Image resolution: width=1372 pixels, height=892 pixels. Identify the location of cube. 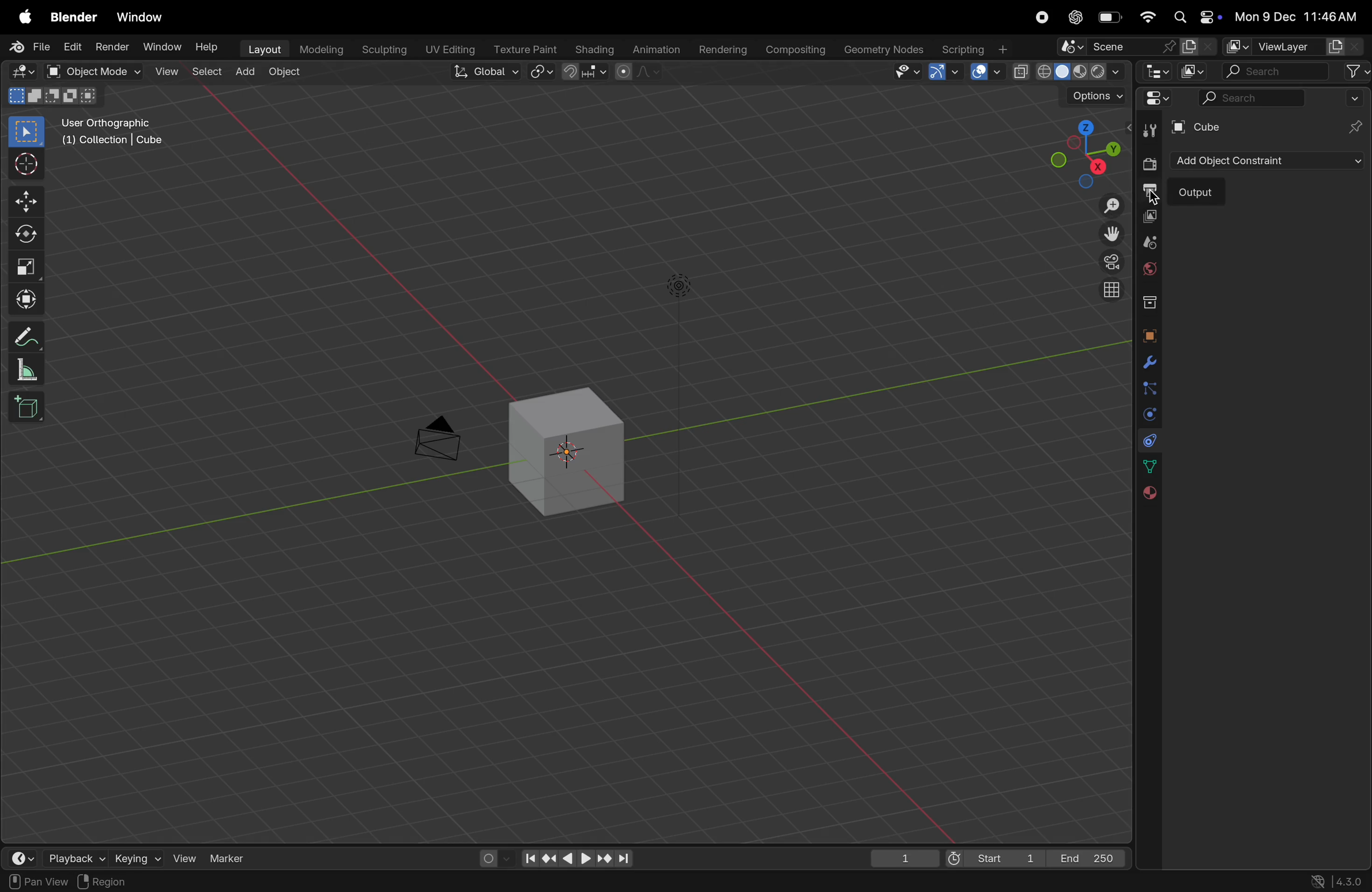
(569, 448).